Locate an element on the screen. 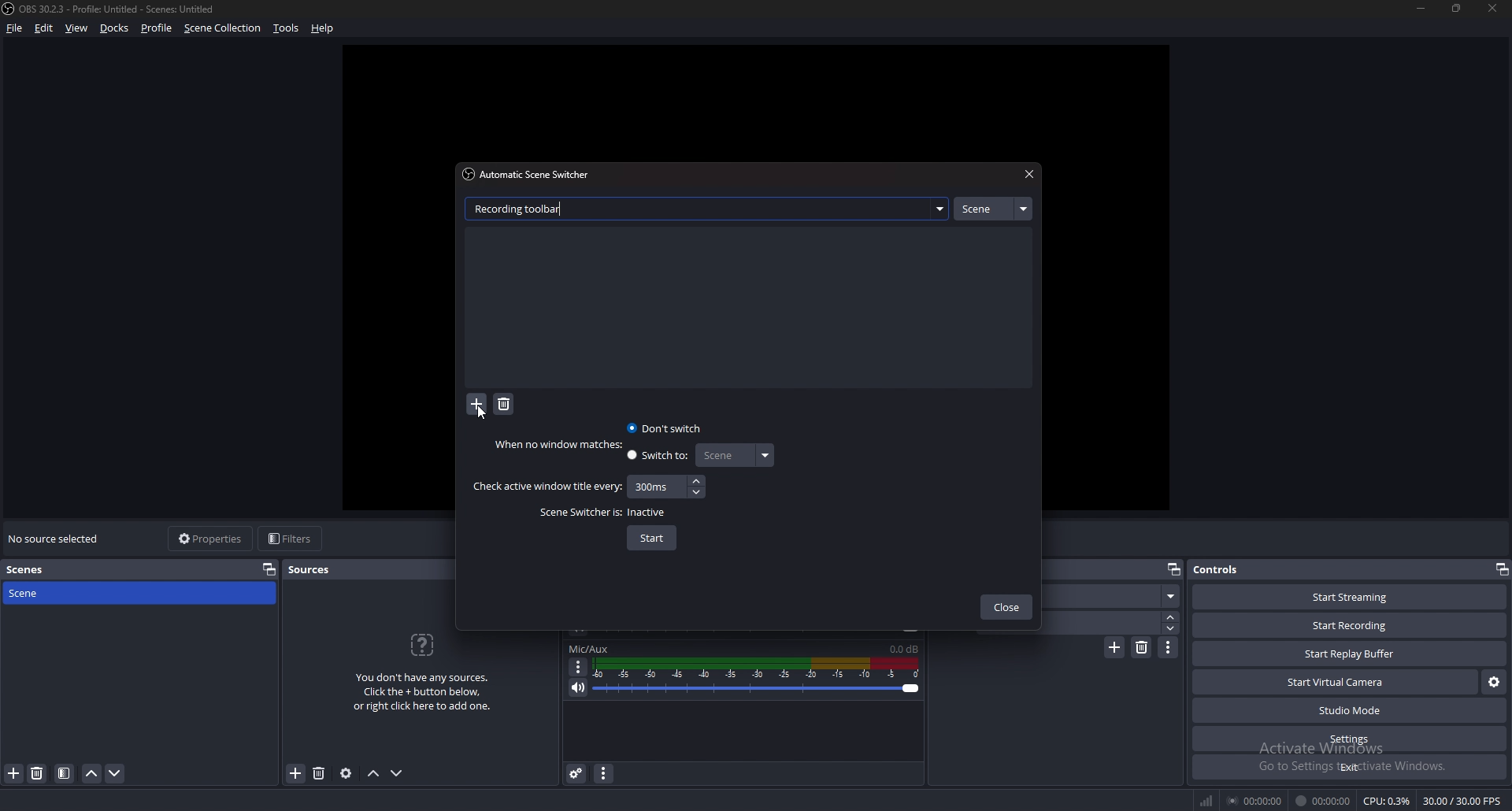 The image size is (1512, 811). pop out is located at coordinates (269, 568).